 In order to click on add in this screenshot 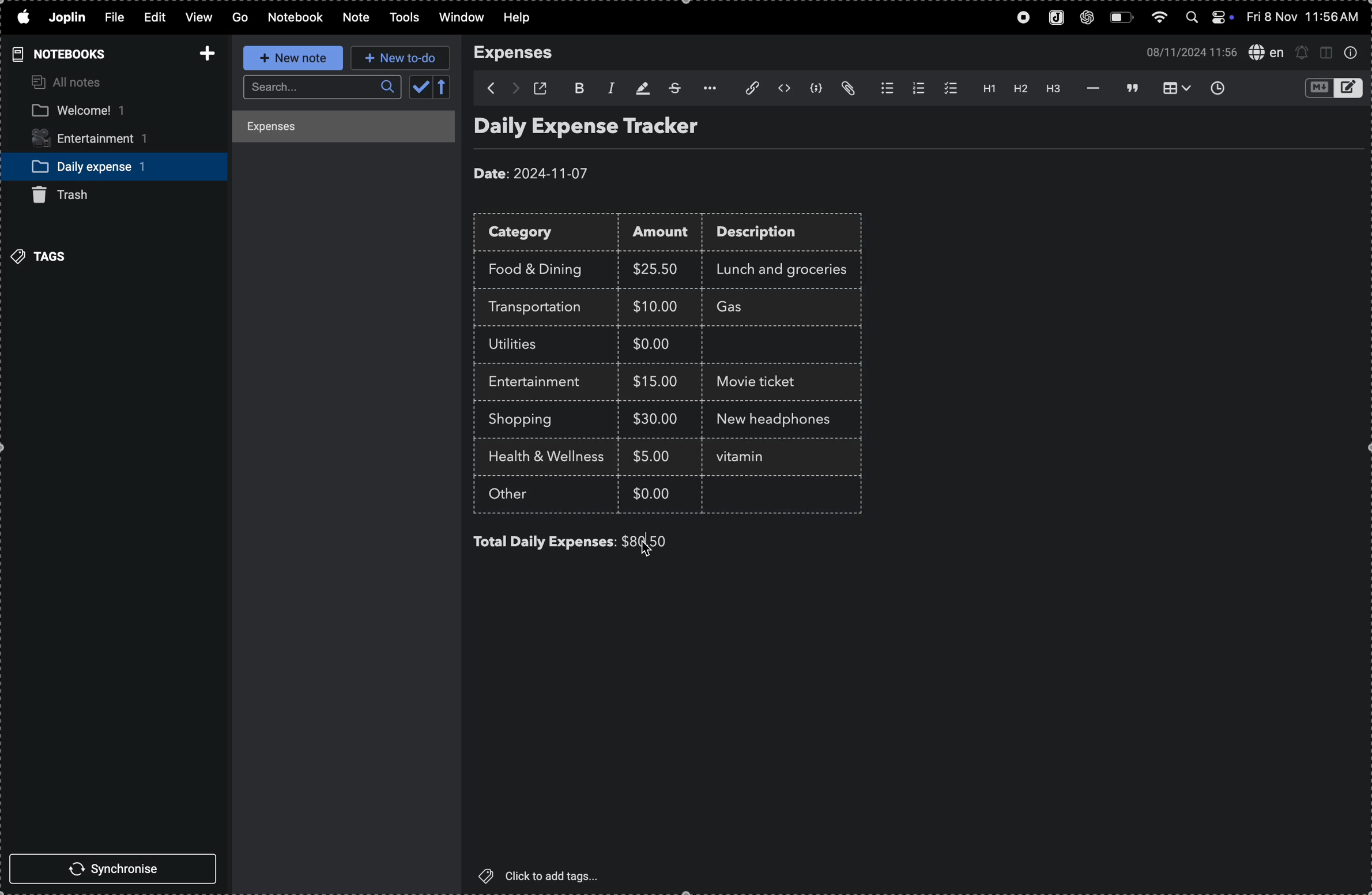, I will do `click(203, 50)`.